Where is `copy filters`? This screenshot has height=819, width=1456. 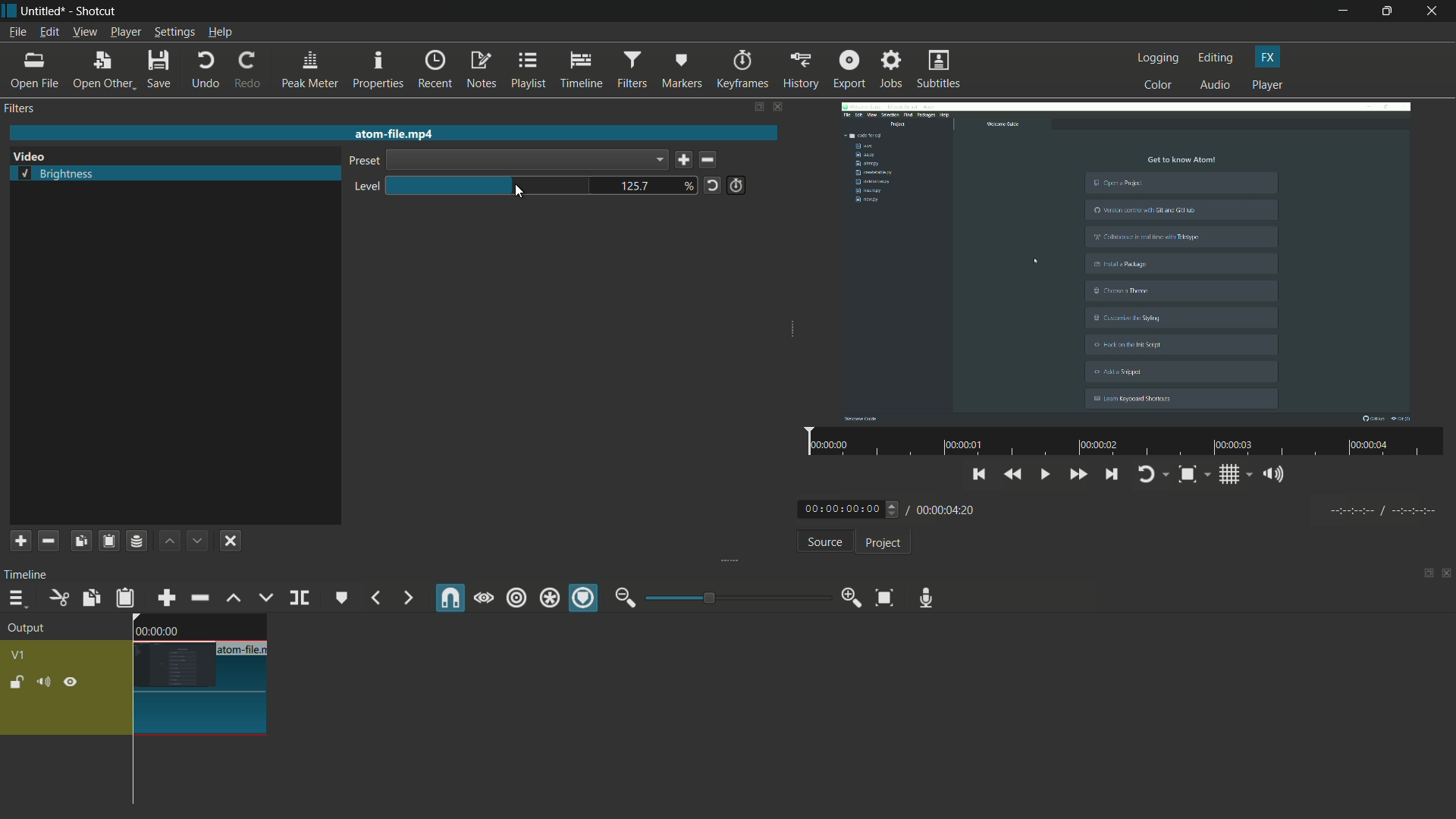
copy filters is located at coordinates (80, 541).